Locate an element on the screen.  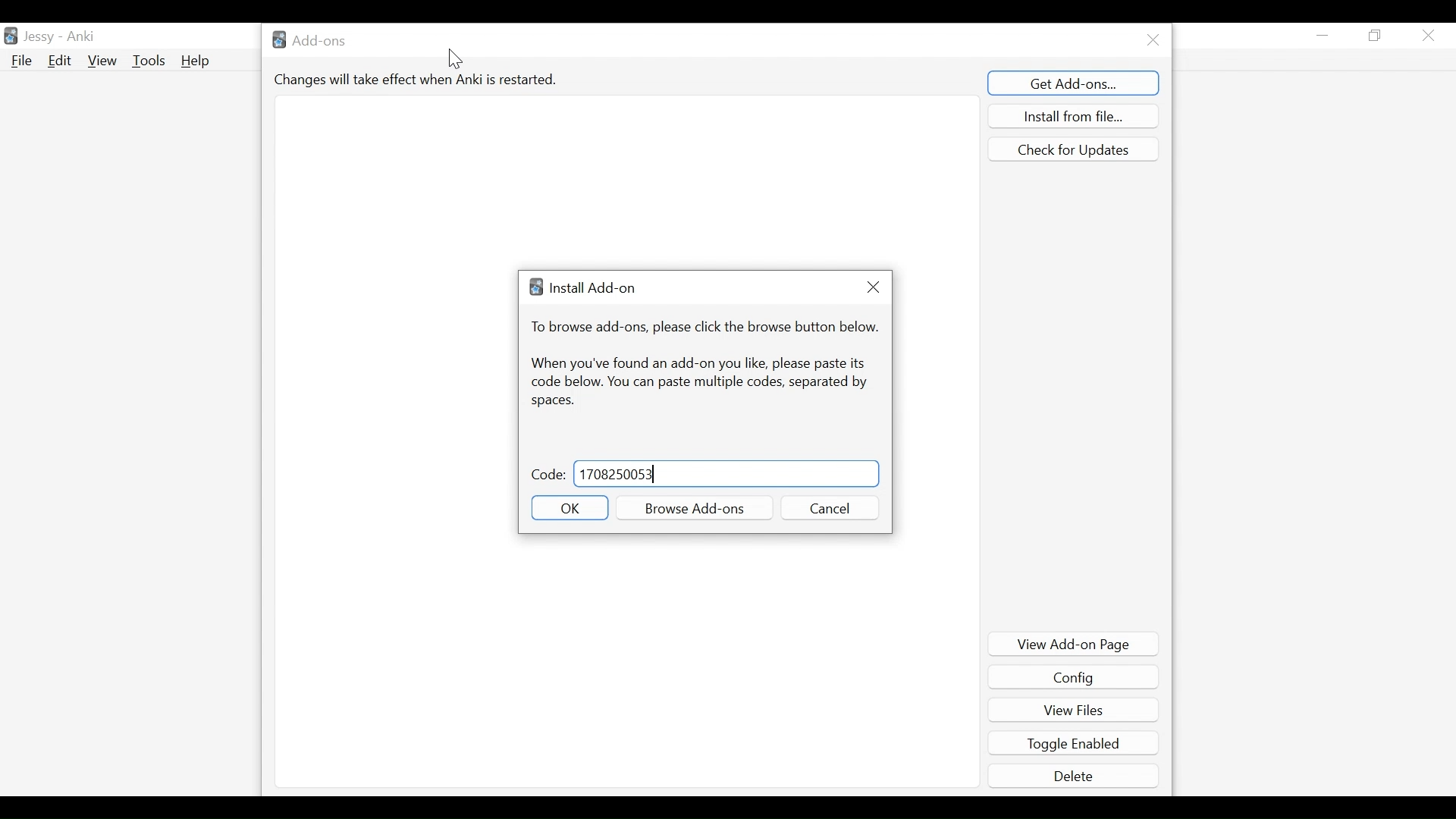
File is located at coordinates (21, 61).